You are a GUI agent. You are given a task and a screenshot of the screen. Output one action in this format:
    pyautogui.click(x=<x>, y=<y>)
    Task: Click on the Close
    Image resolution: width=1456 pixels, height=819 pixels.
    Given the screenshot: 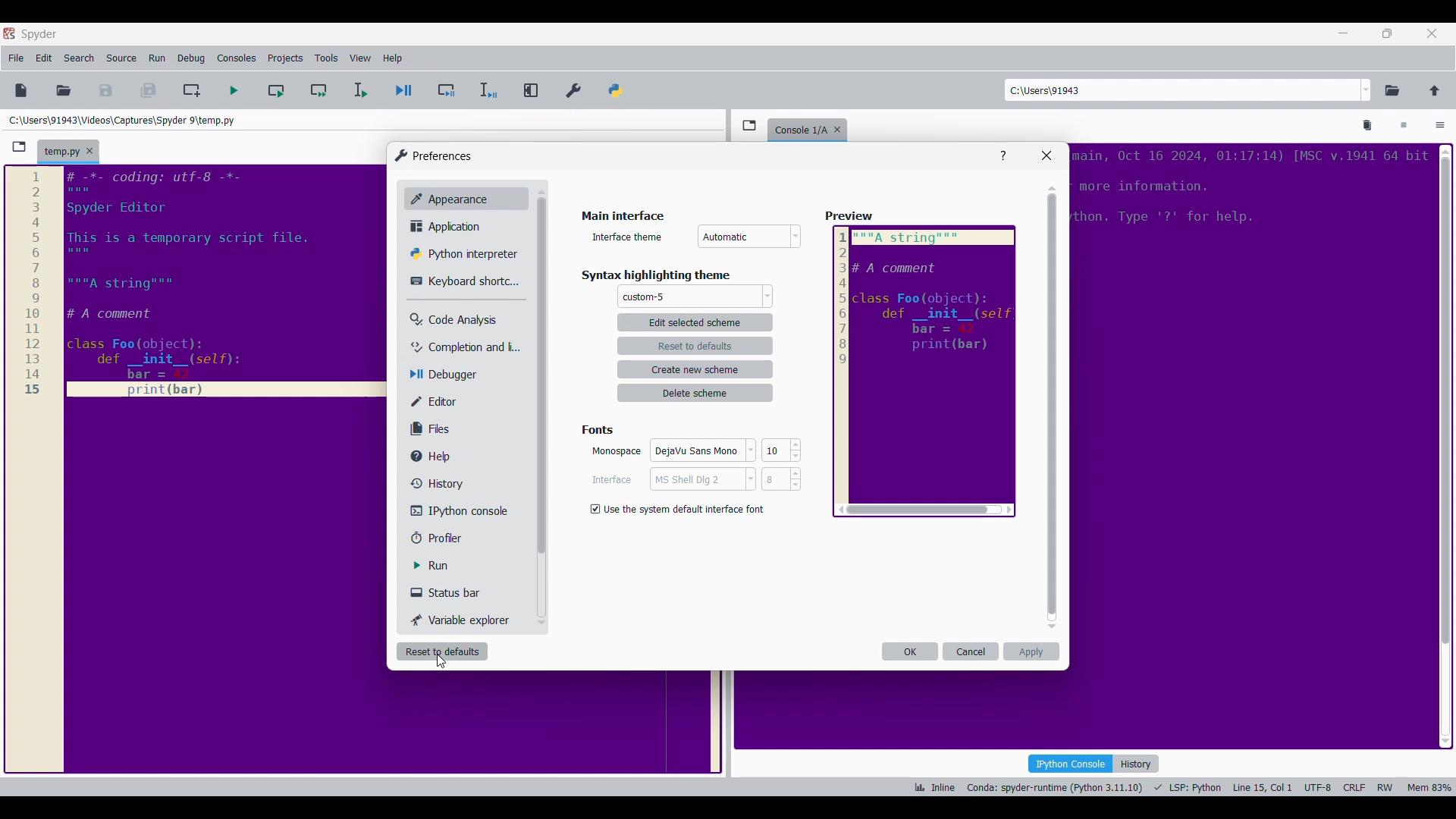 What is the action you would take?
    pyautogui.click(x=1046, y=155)
    